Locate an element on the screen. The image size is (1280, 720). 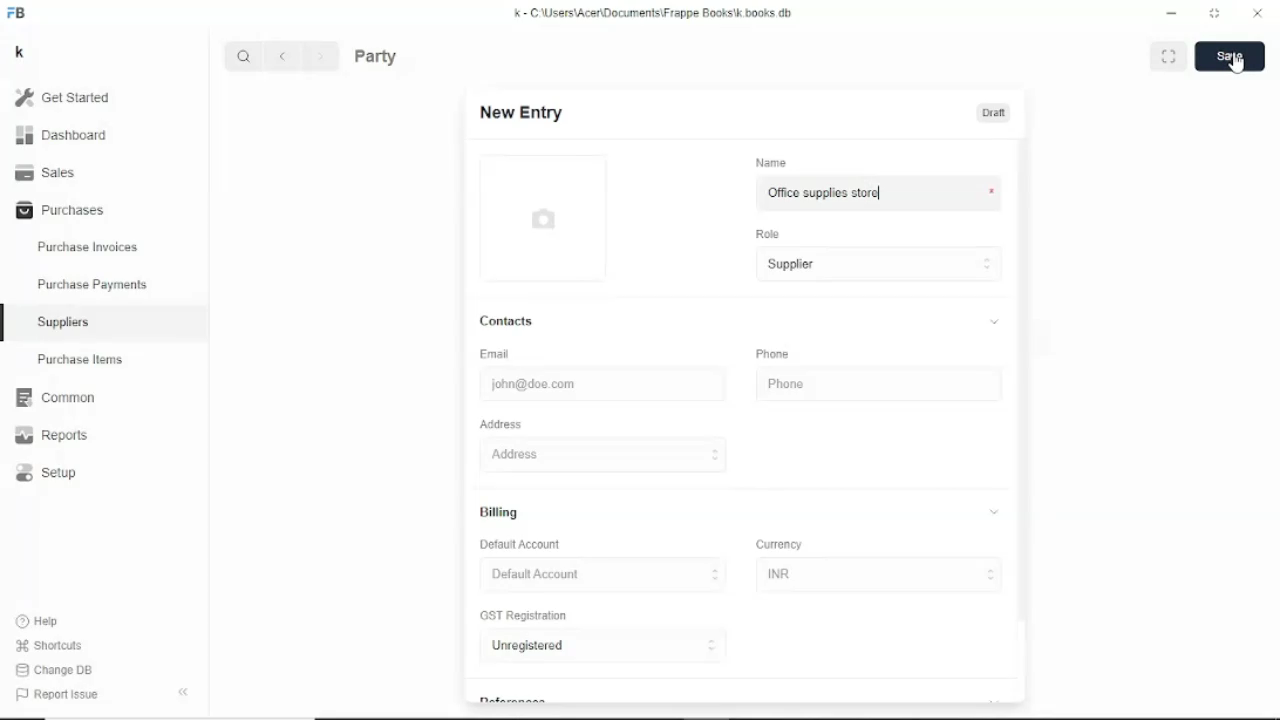
Phone is located at coordinates (864, 387).